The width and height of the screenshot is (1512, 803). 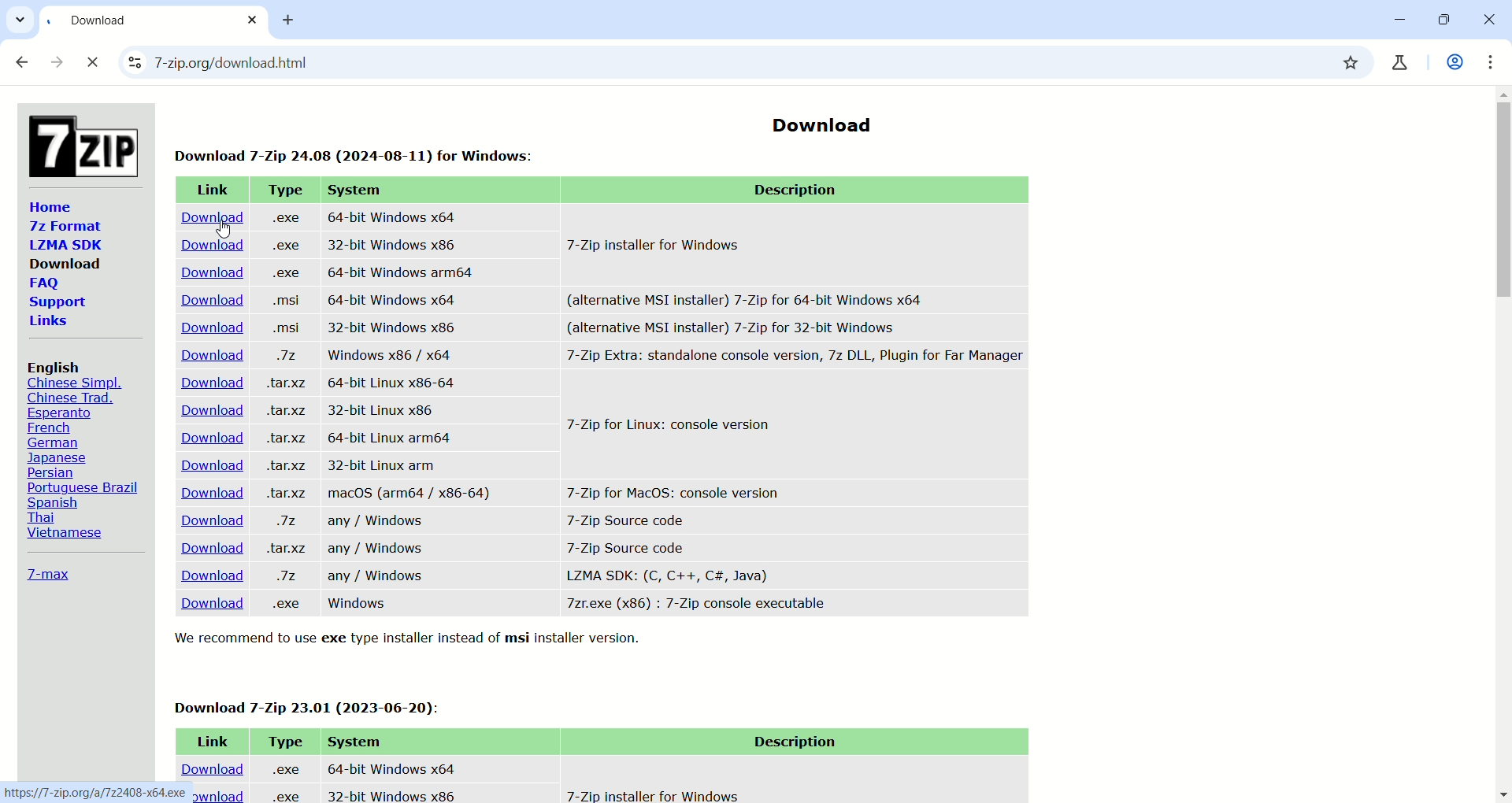 I want to click on .tar.xz, so click(x=283, y=465).